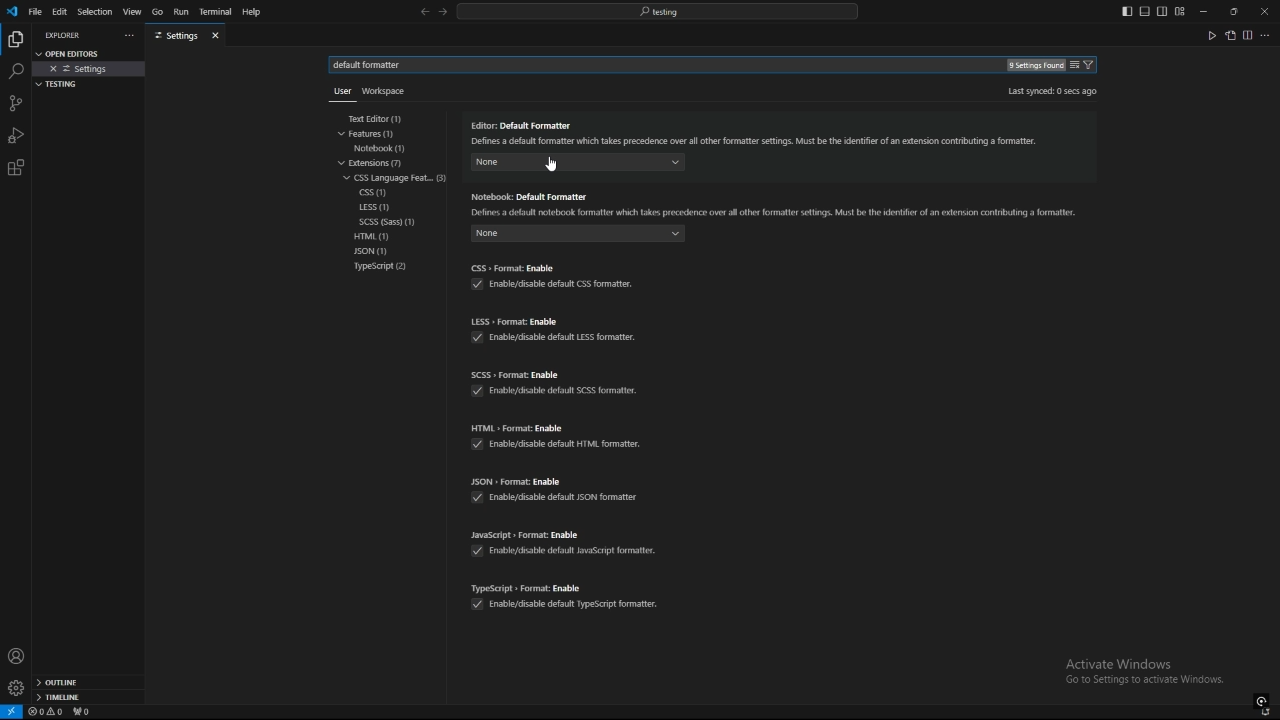 The image size is (1280, 720). I want to click on enable /disable default scss formatter, so click(563, 395).